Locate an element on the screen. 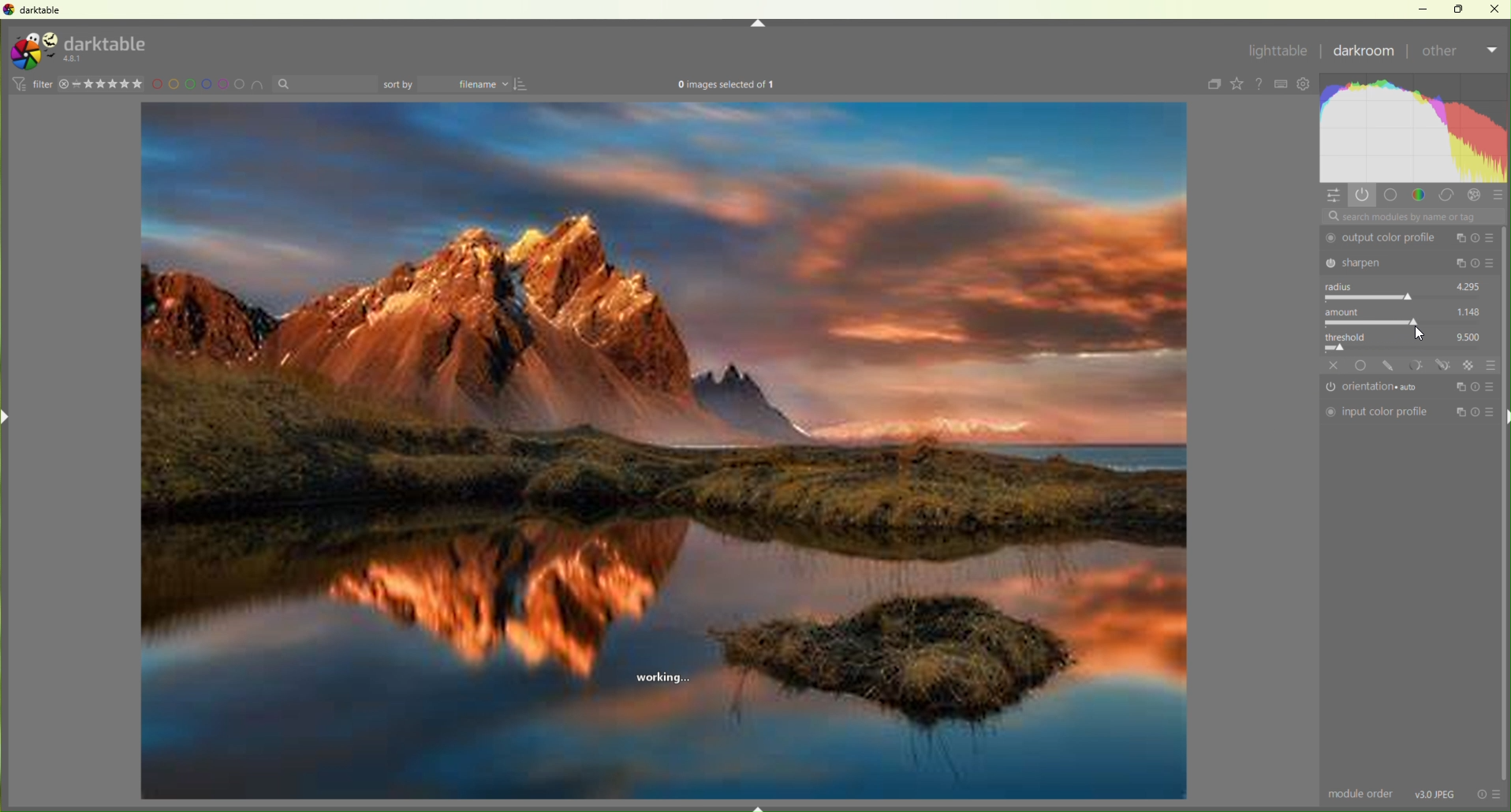  lighttable is located at coordinates (1277, 54).